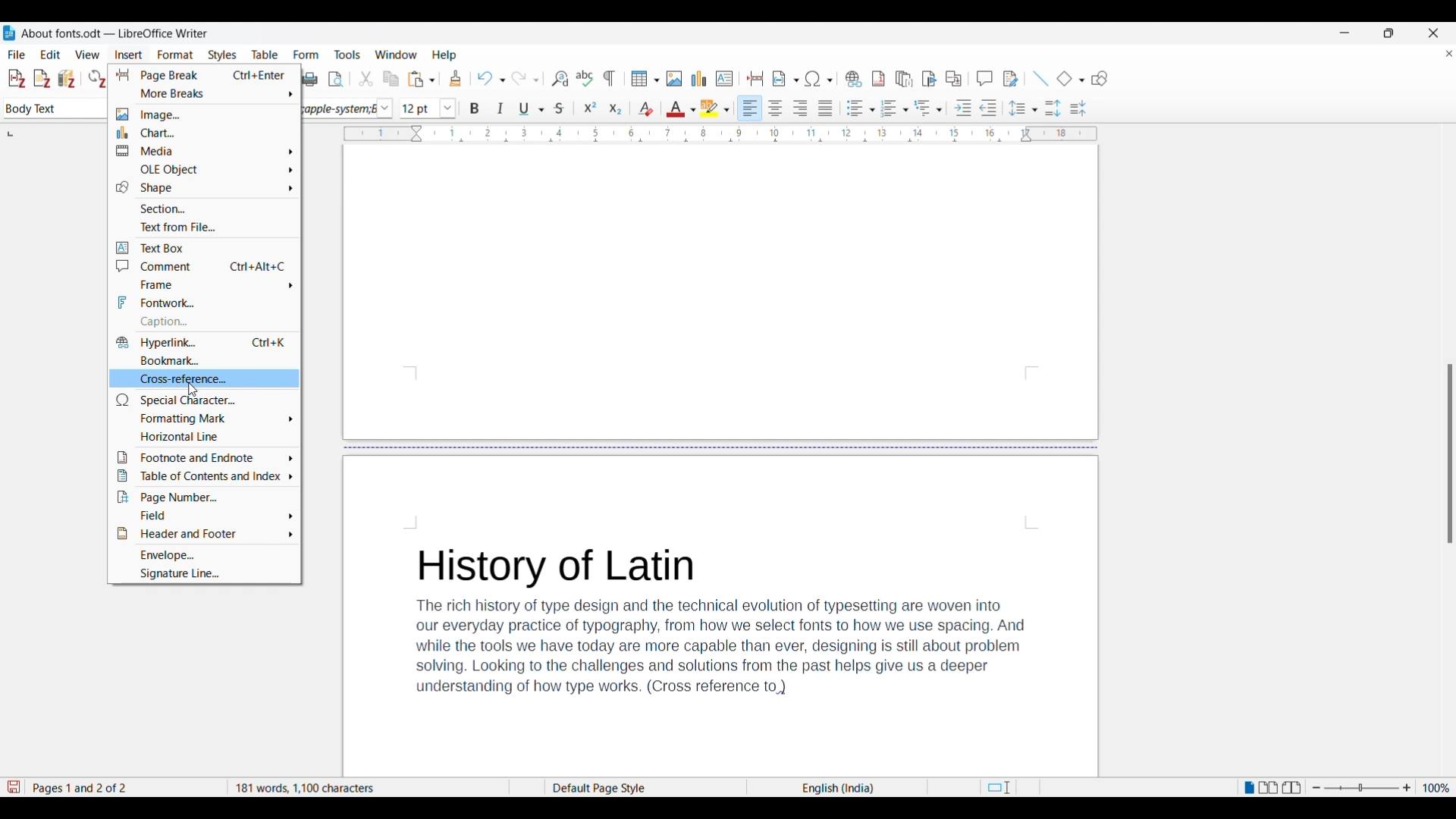 The width and height of the screenshot is (1456, 819). Describe the element at coordinates (610, 78) in the screenshot. I see `Toggle formatting marks` at that location.